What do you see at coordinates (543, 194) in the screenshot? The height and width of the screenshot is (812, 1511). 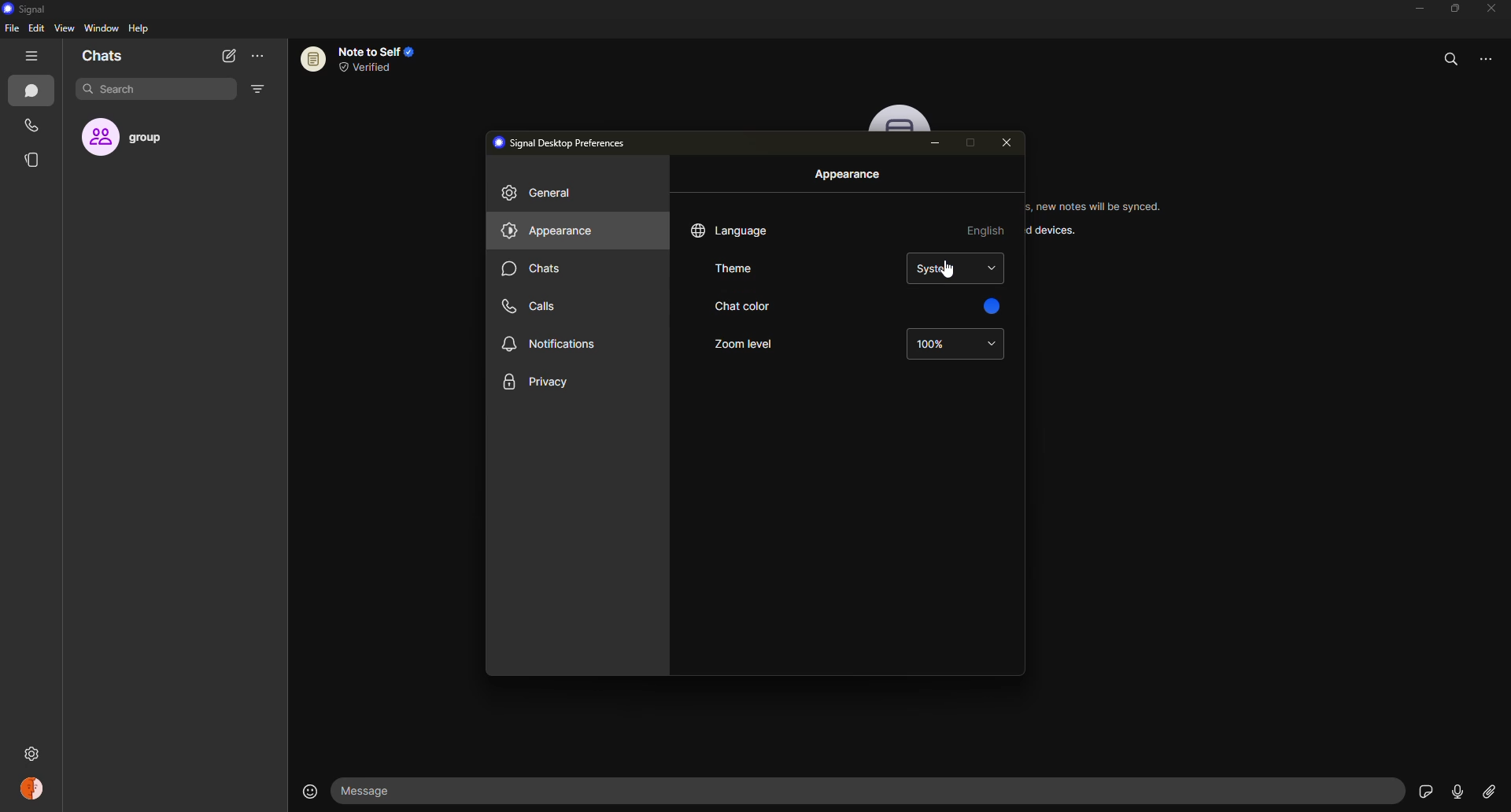 I see `general` at bounding box center [543, 194].